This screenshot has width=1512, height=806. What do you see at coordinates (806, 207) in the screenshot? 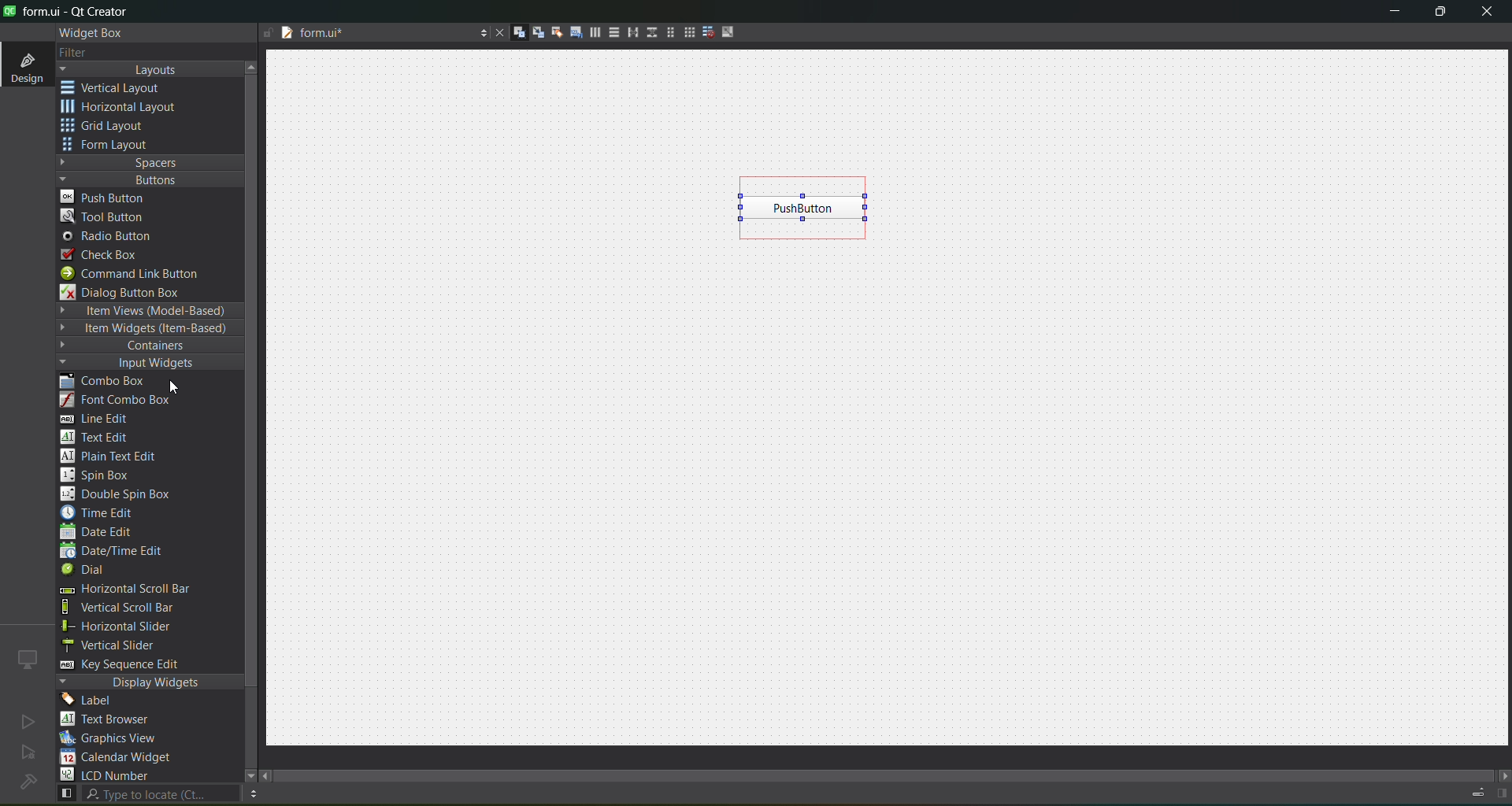
I see `push button inserted` at bounding box center [806, 207].